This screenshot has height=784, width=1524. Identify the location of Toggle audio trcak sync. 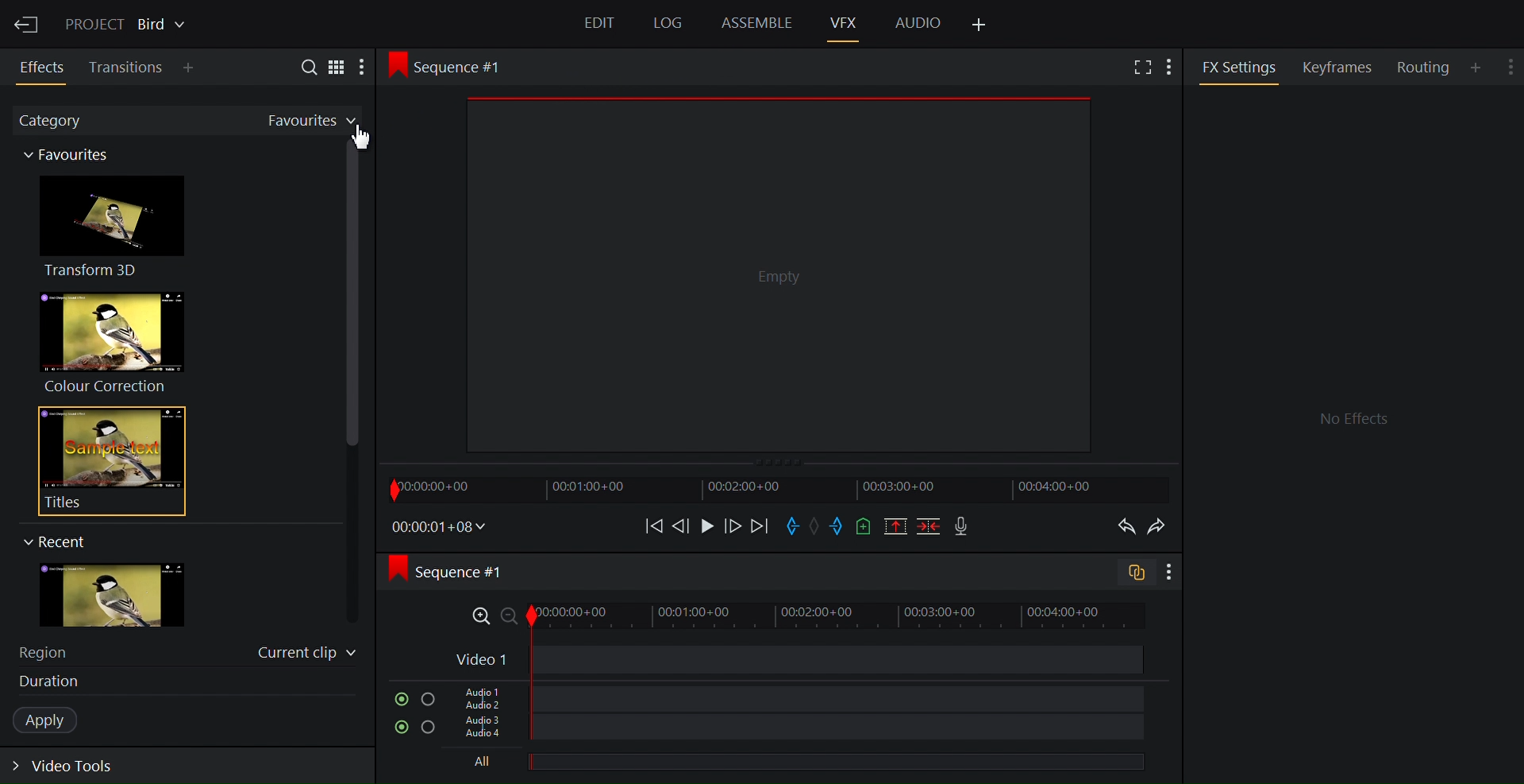
(1131, 575).